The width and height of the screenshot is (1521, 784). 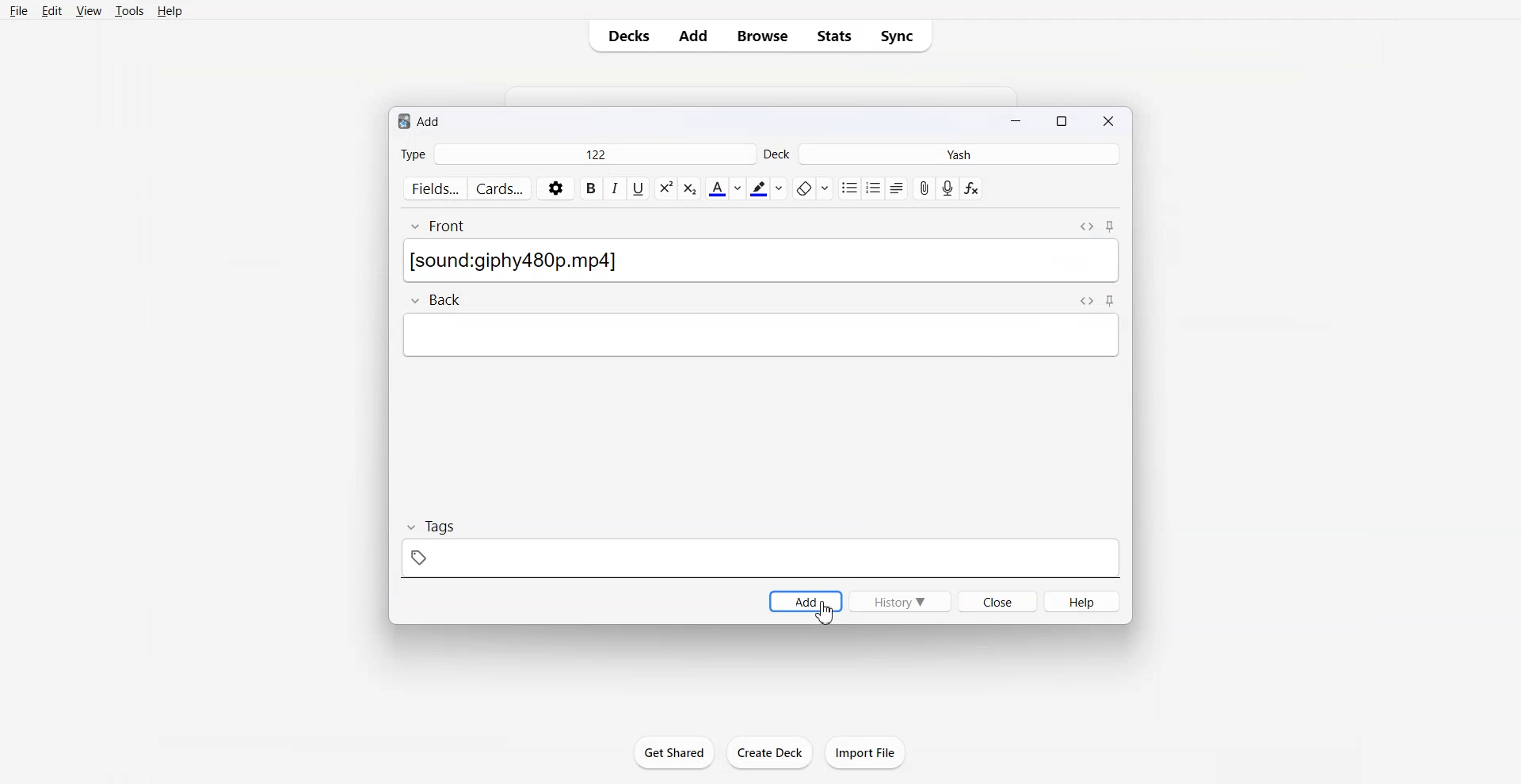 I want to click on Help, so click(x=1083, y=602).